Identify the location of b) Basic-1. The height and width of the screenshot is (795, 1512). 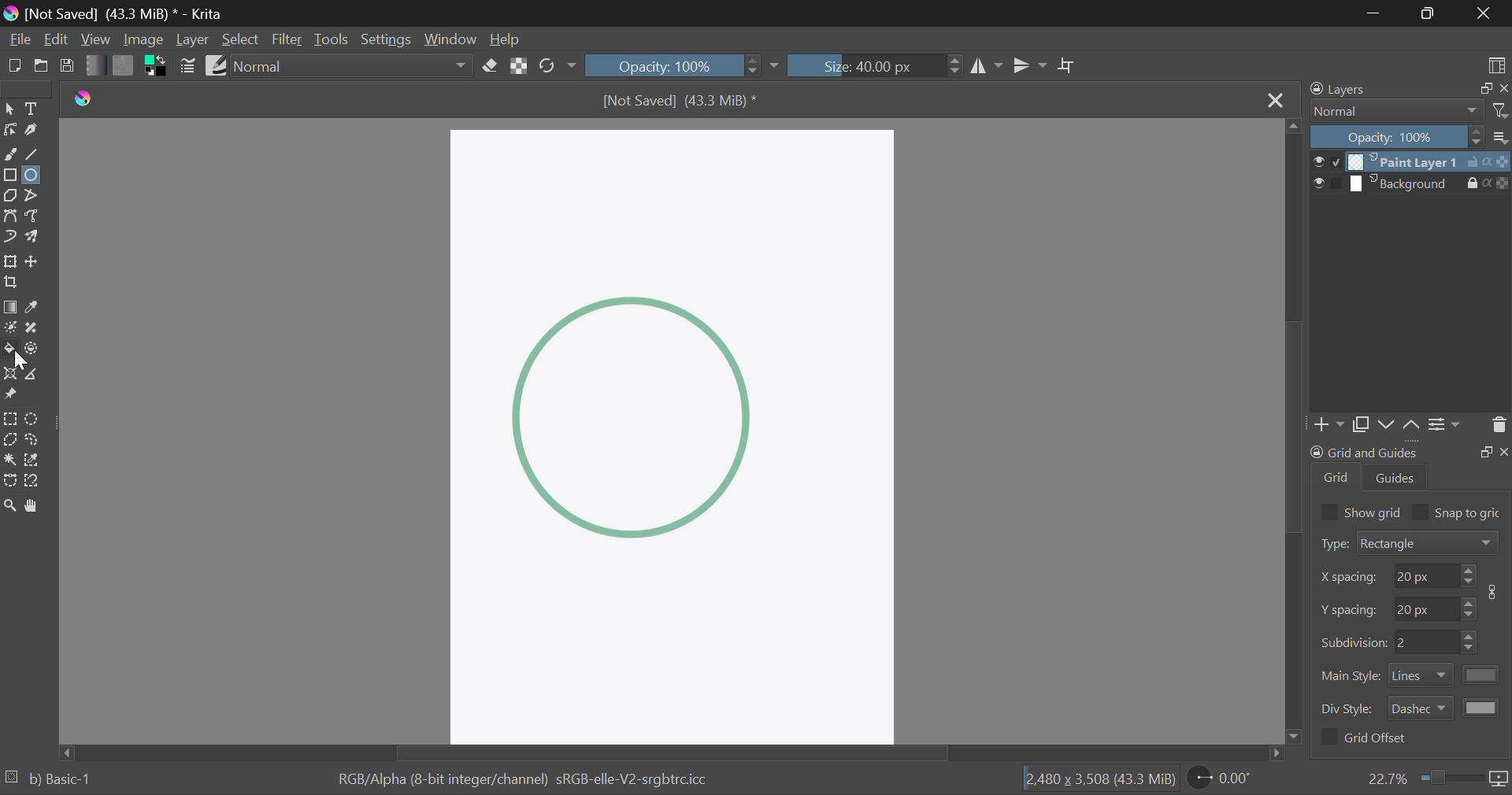
(61, 778).